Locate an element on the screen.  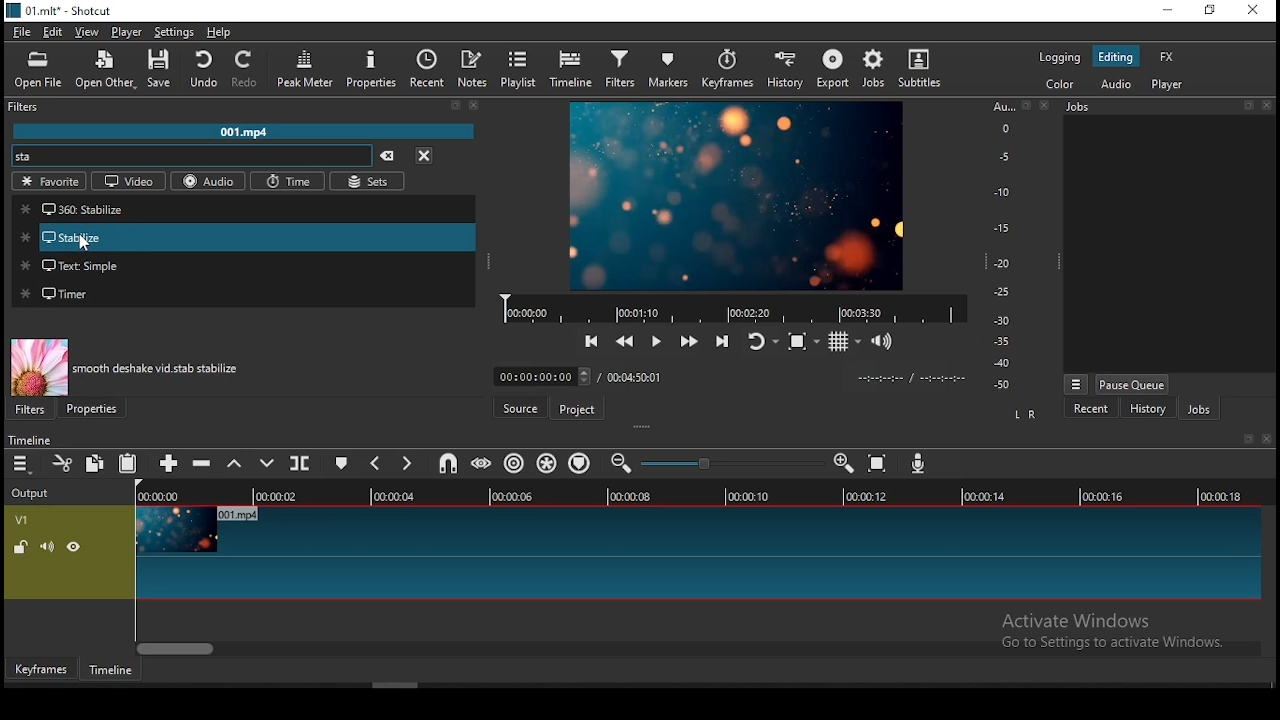
scroll is located at coordinates (644, 687).